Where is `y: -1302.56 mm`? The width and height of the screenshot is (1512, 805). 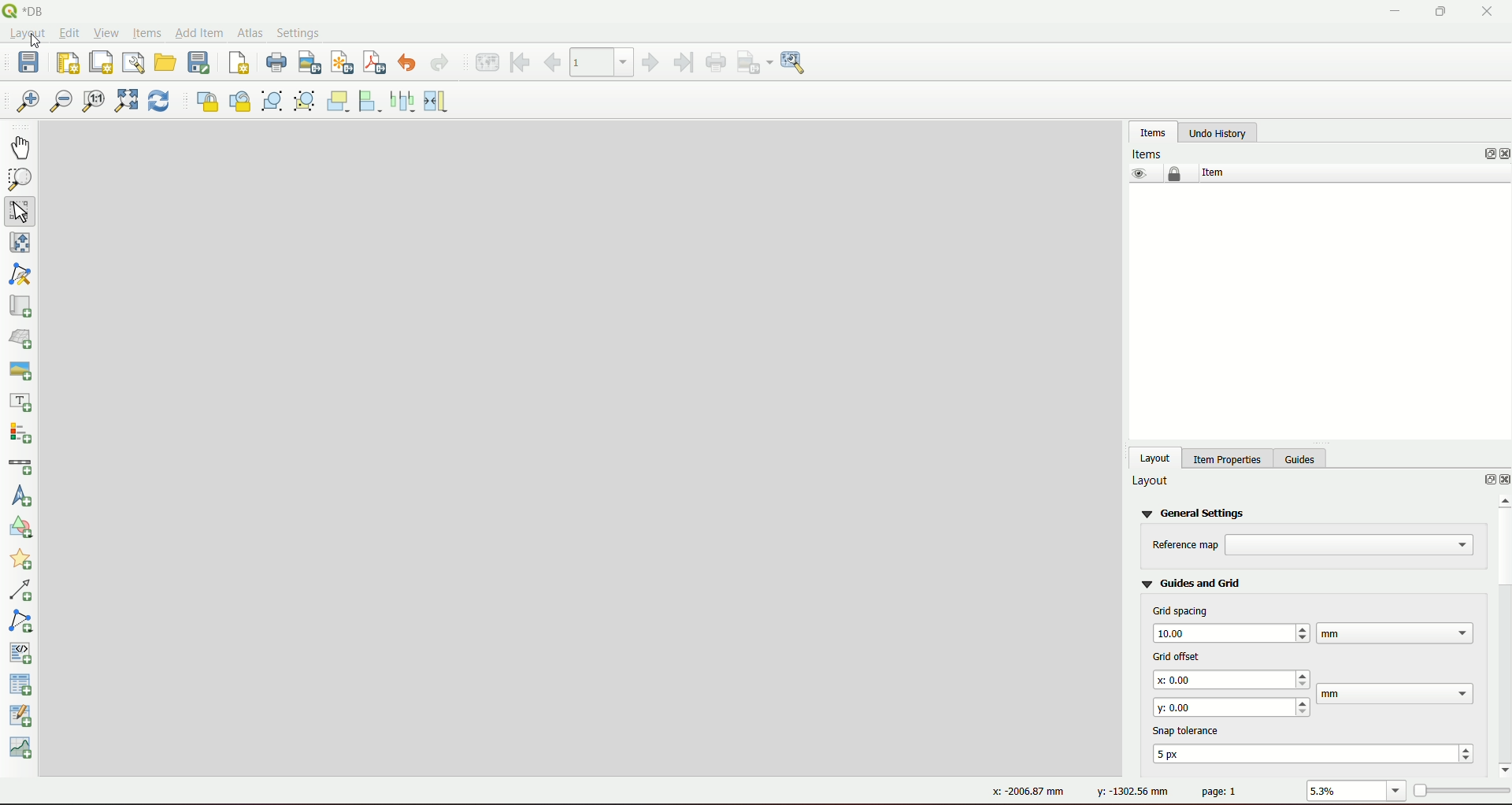 y: -1302.56 mm is located at coordinates (1129, 792).